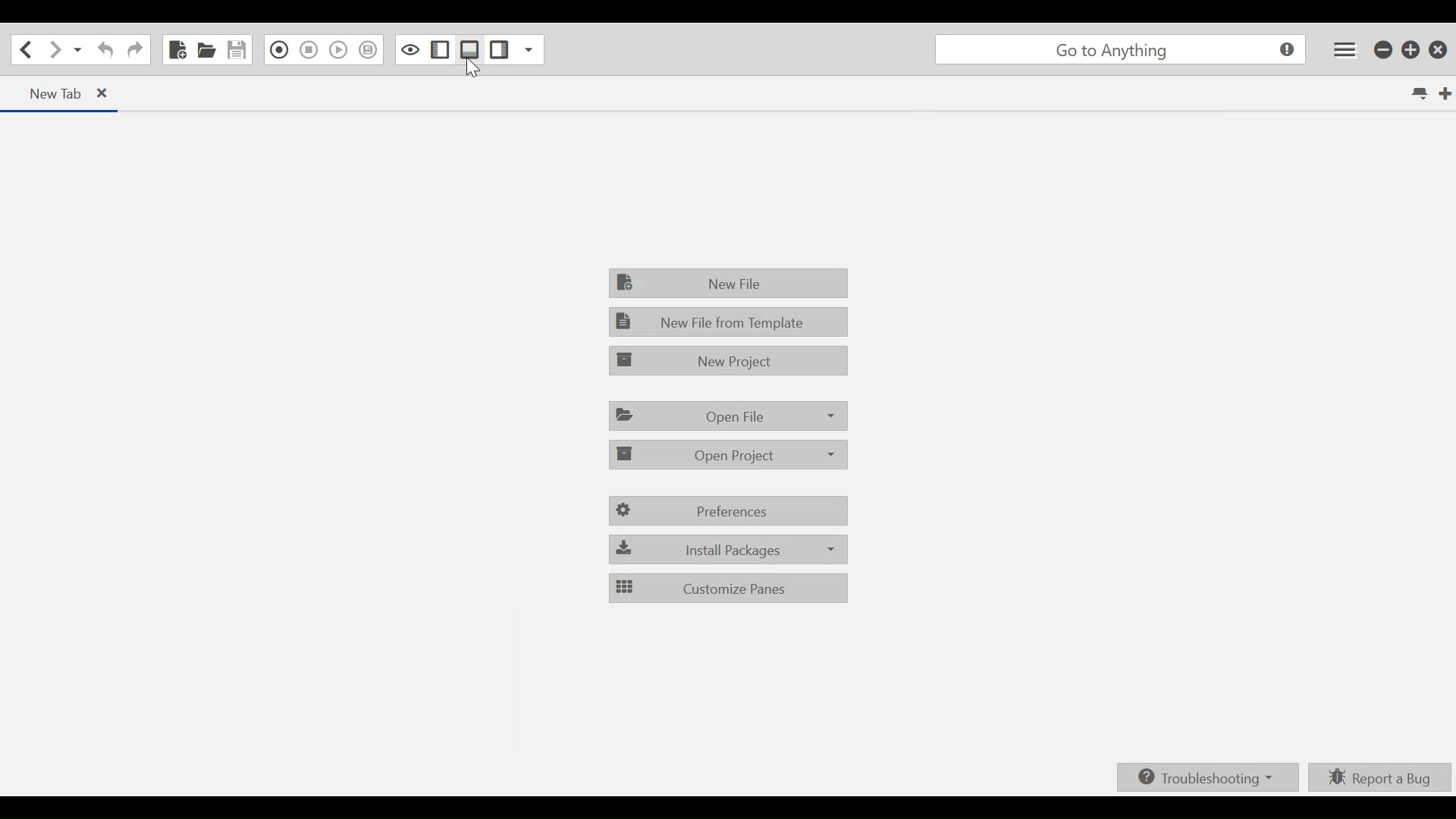 Image resolution: width=1456 pixels, height=819 pixels. I want to click on New Project, so click(726, 360).